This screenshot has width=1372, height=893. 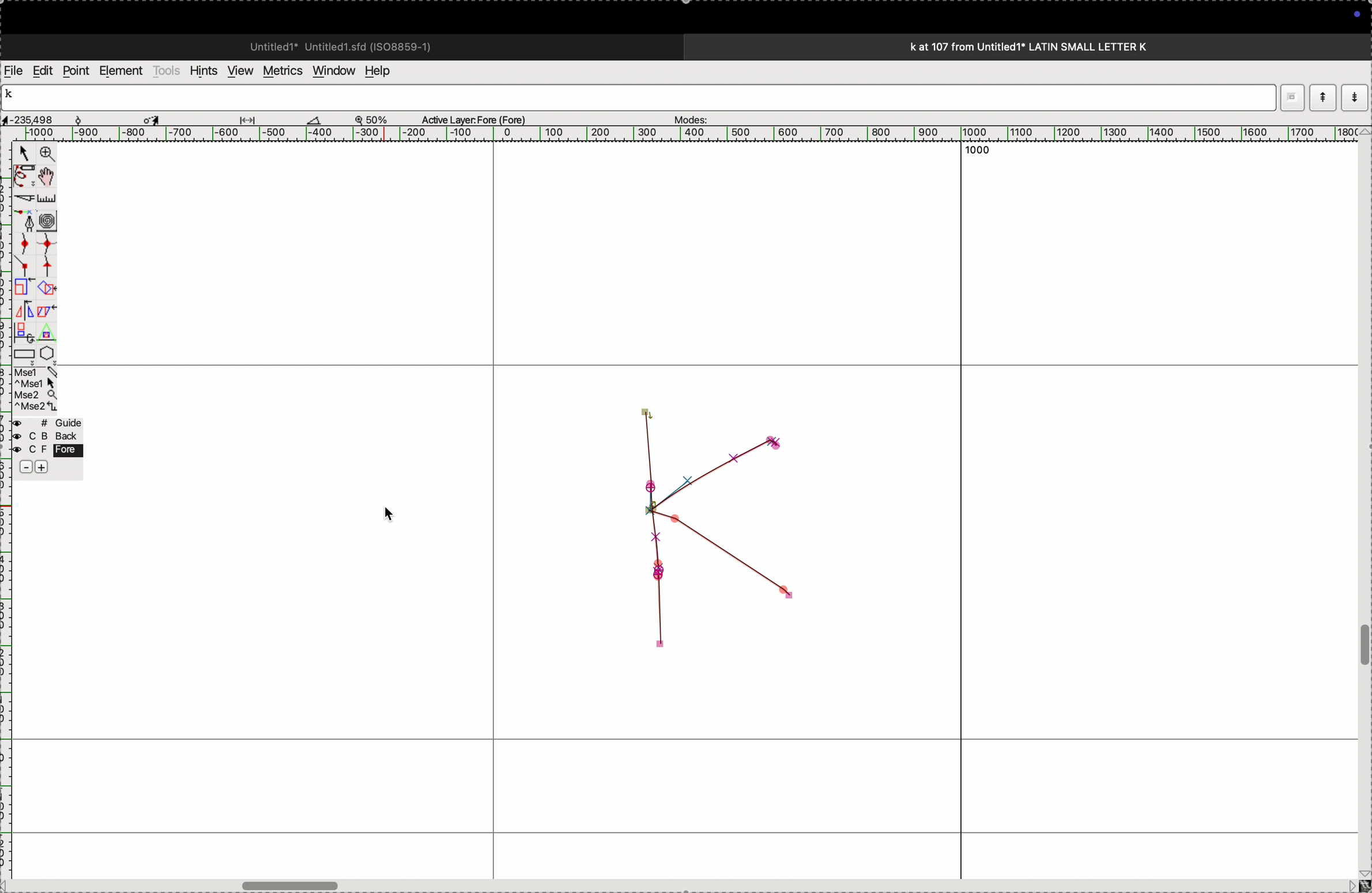 What do you see at coordinates (40, 116) in the screenshot?
I see `co ordinates` at bounding box center [40, 116].